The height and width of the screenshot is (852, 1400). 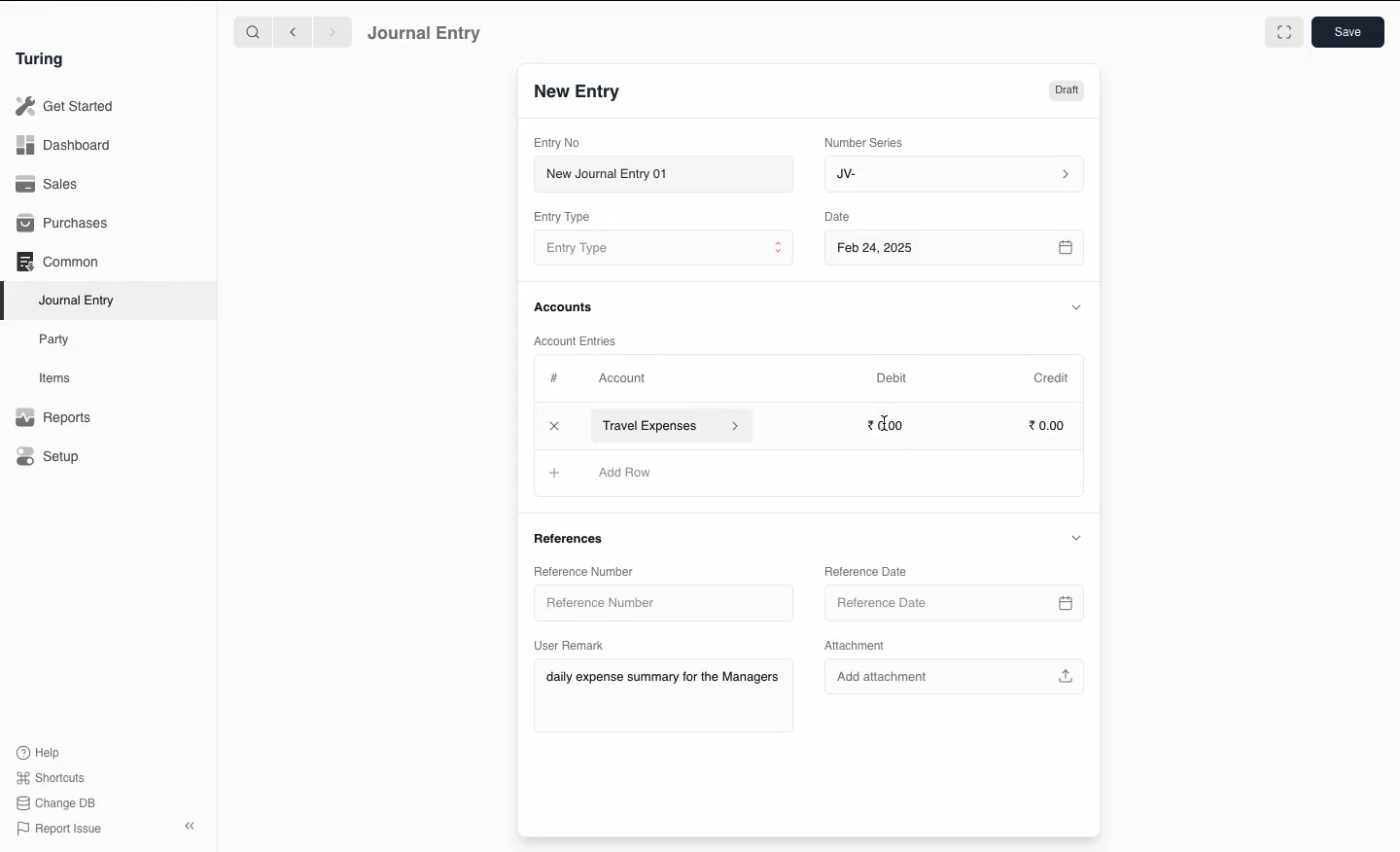 I want to click on Backward, so click(x=293, y=31).